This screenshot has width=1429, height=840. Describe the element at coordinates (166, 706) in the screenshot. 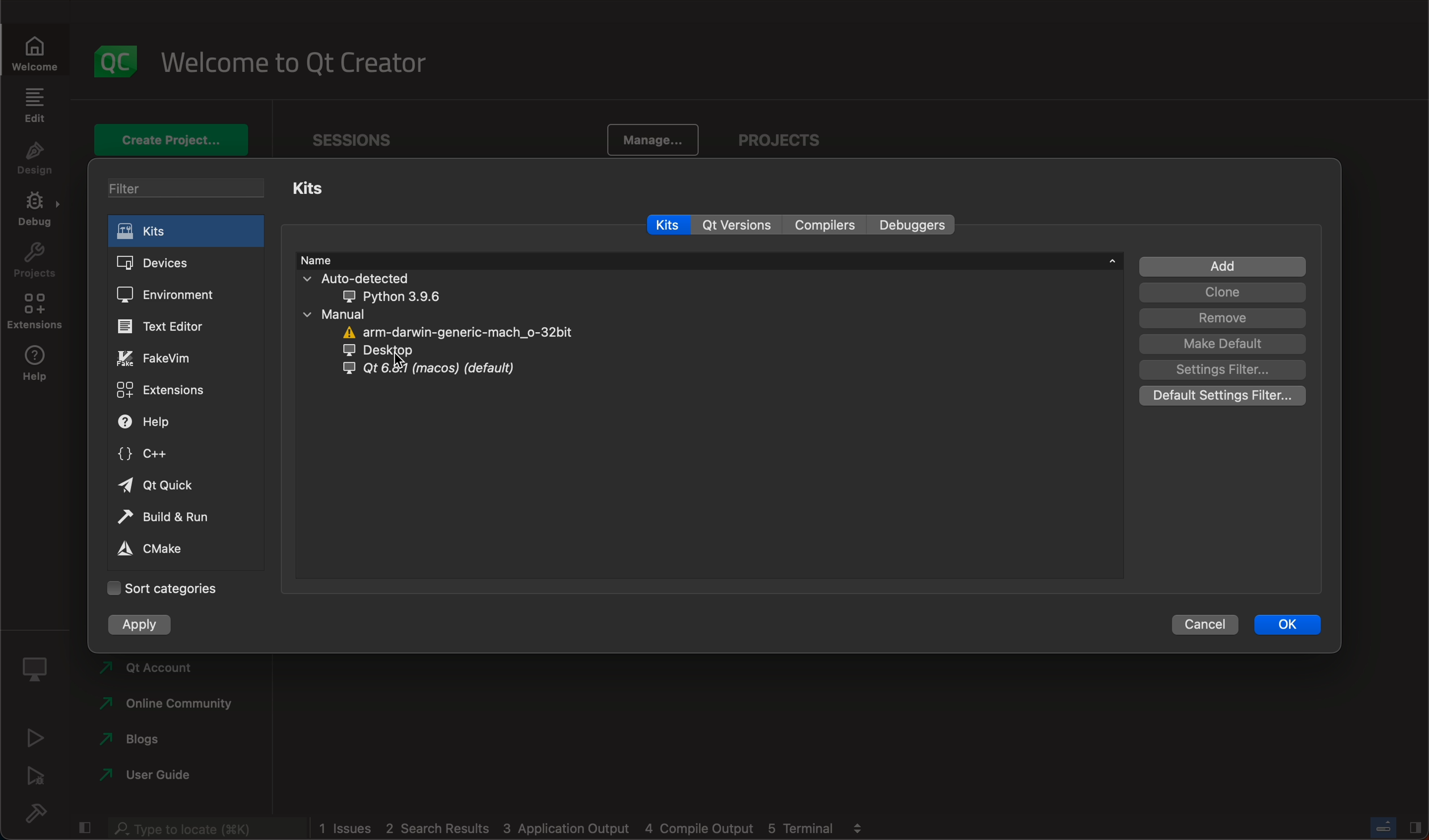

I see `online community` at that location.